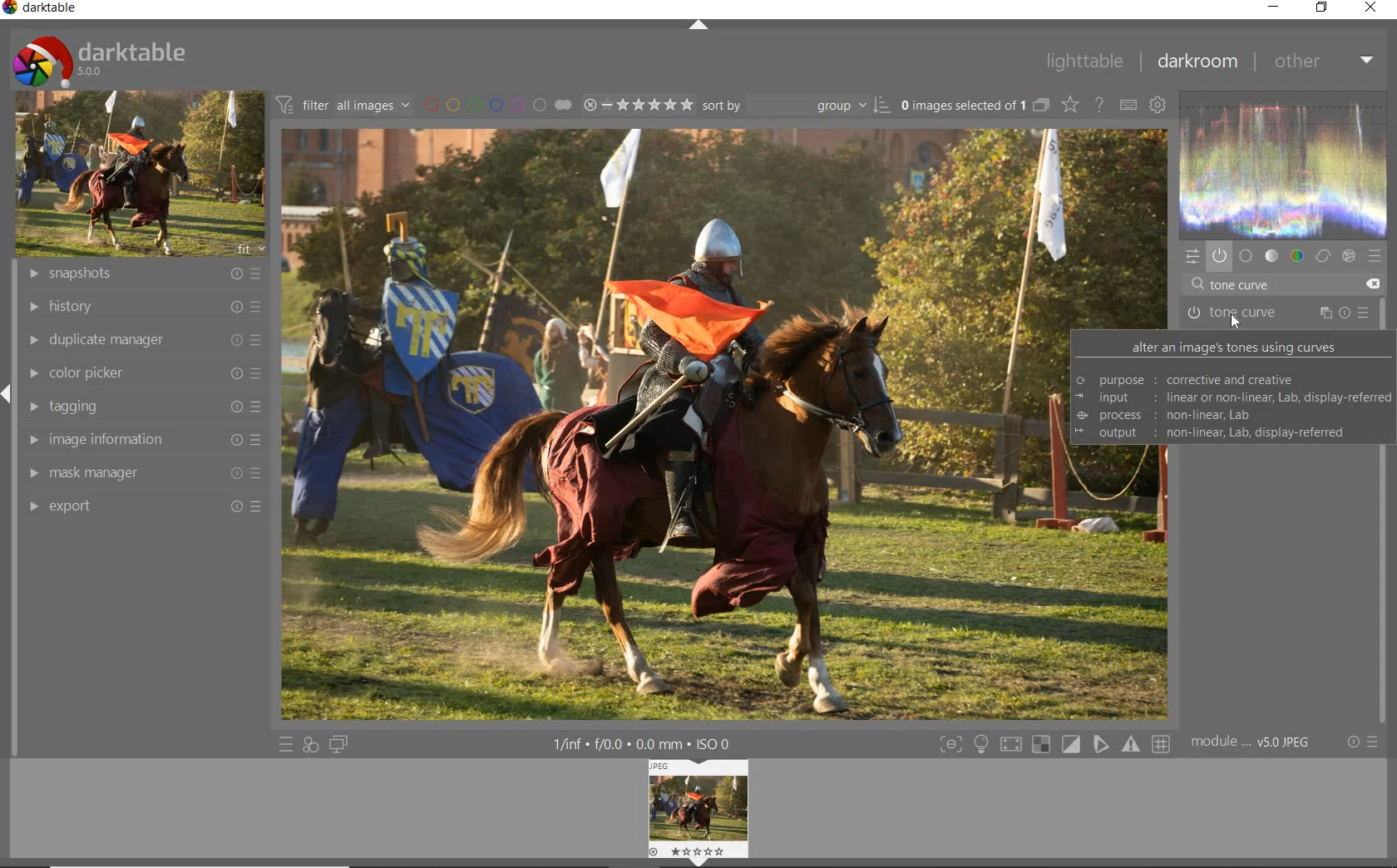  Describe the element at coordinates (1246, 257) in the screenshot. I see `base` at that location.